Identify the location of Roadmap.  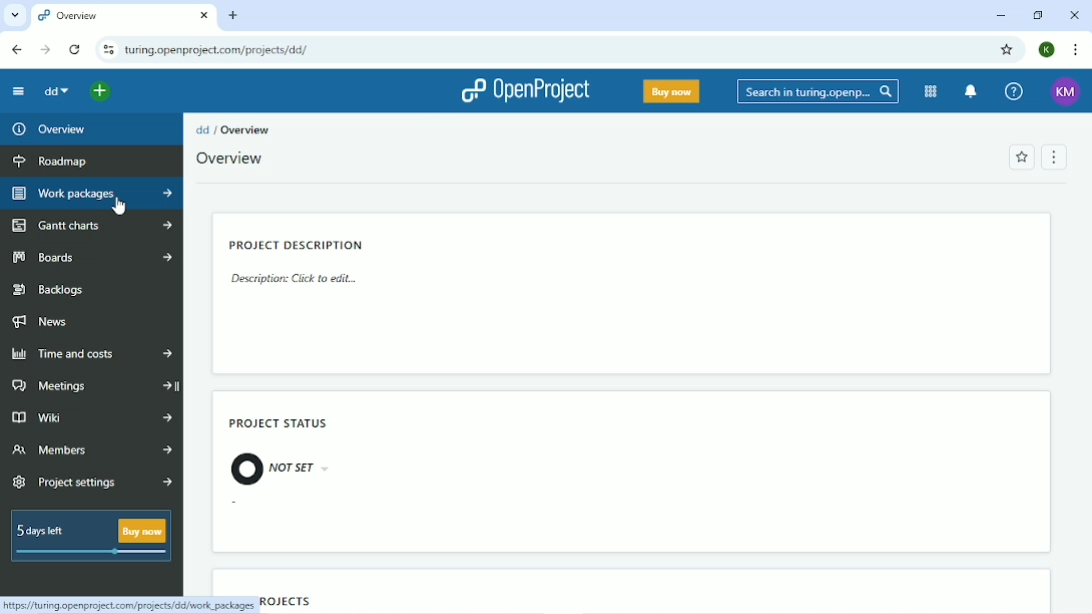
(52, 162).